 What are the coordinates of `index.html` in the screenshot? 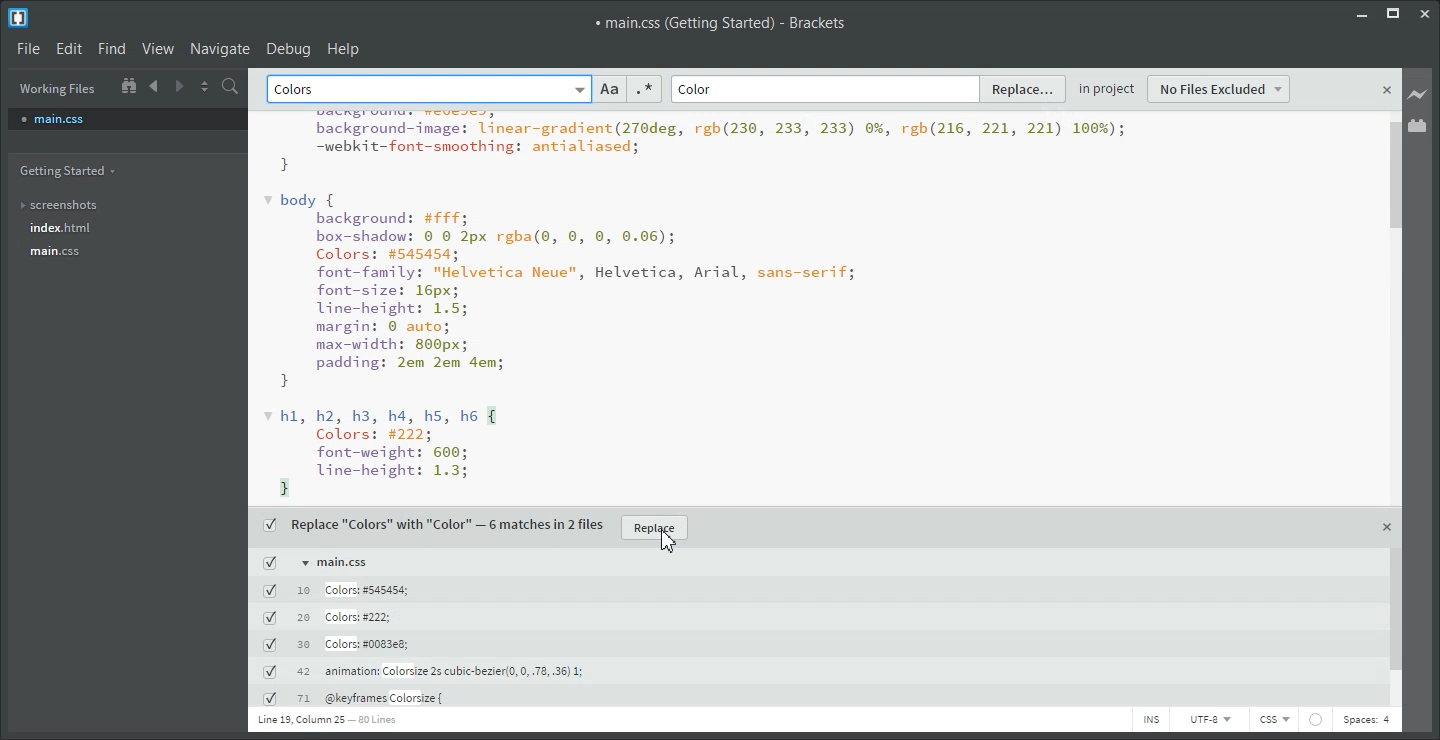 It's located at (71, 228).